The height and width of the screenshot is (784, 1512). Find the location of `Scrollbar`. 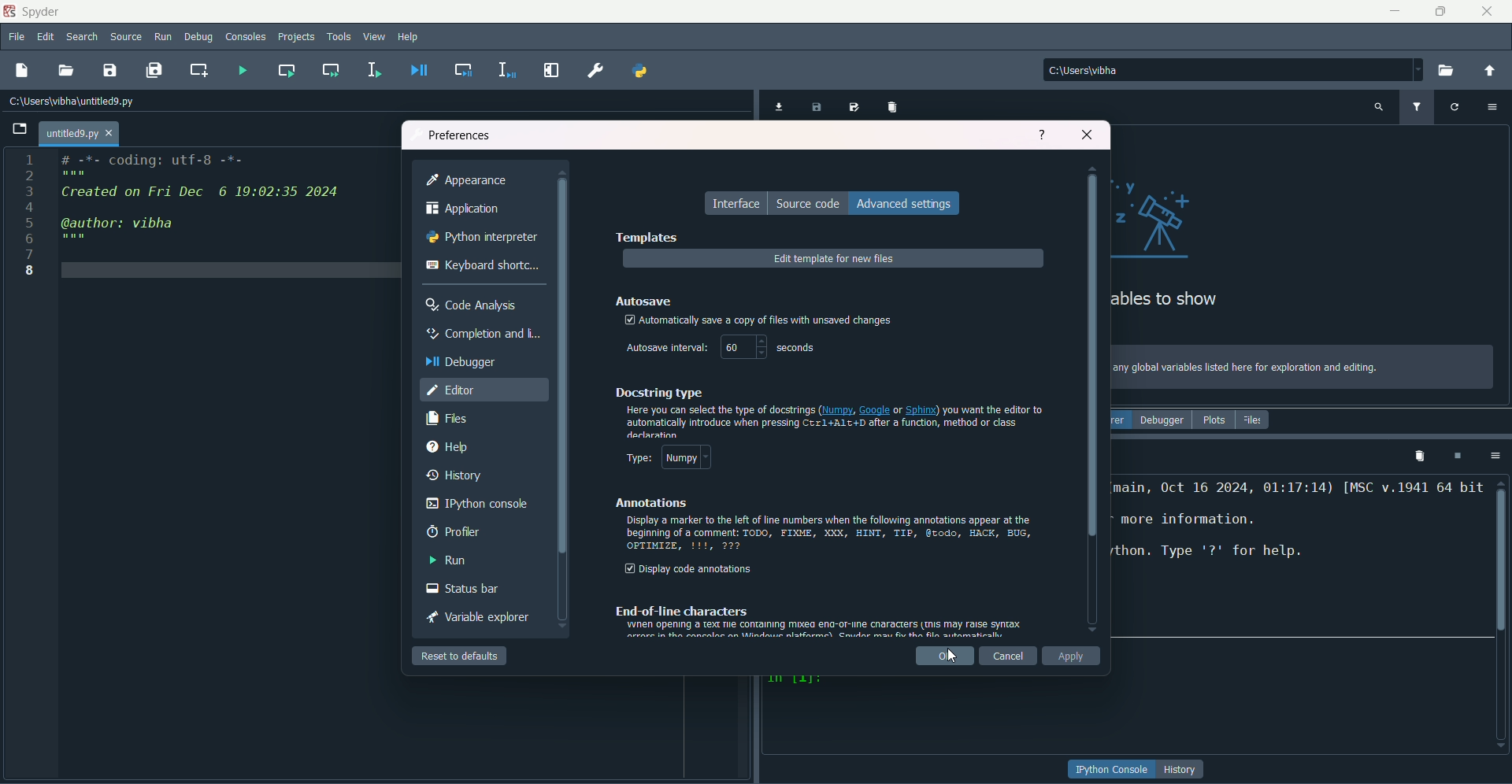

Scrollbar is located at coordinates (563, 366).